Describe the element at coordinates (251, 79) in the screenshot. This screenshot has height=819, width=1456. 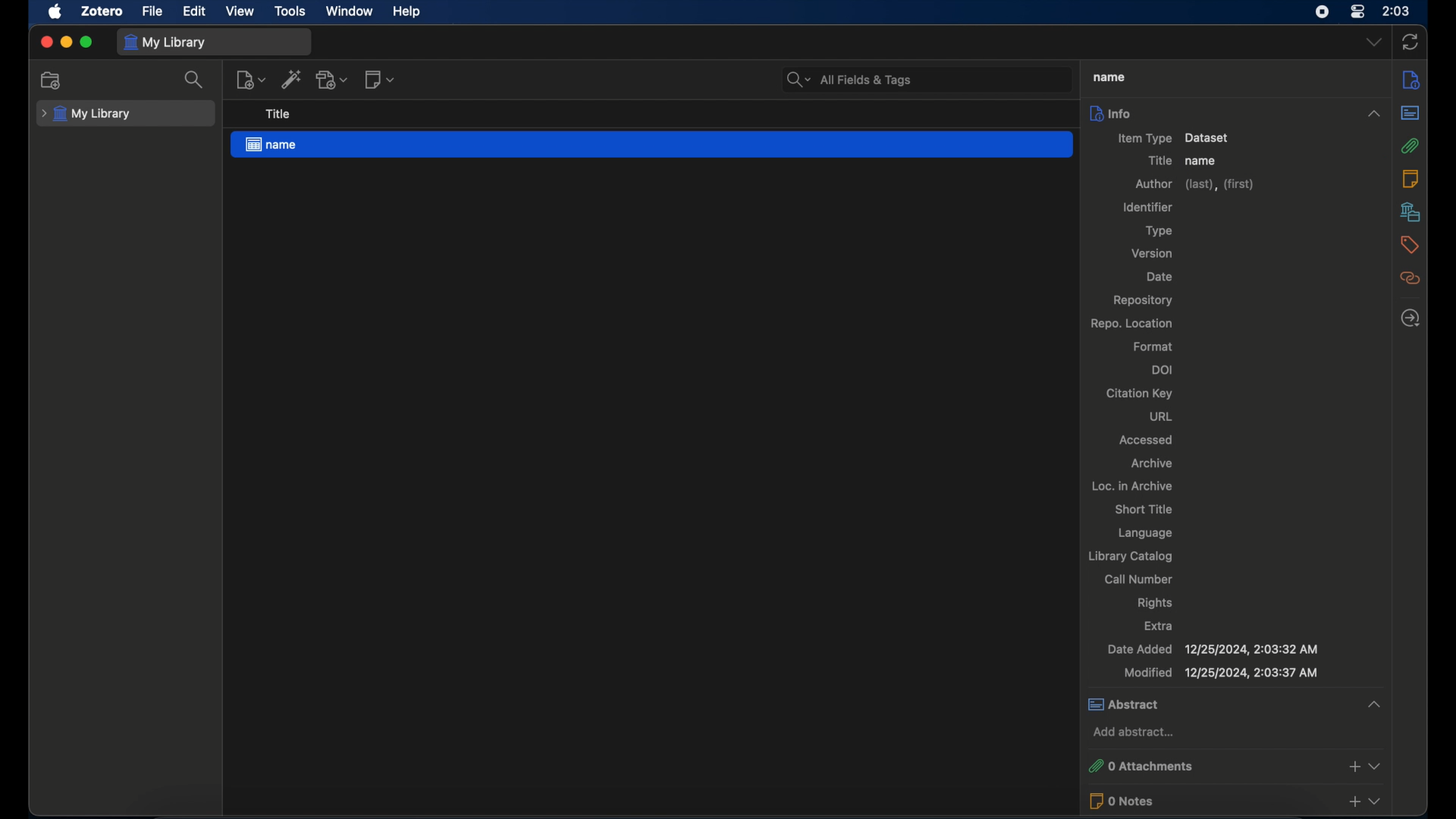
I see `new item` at that location.